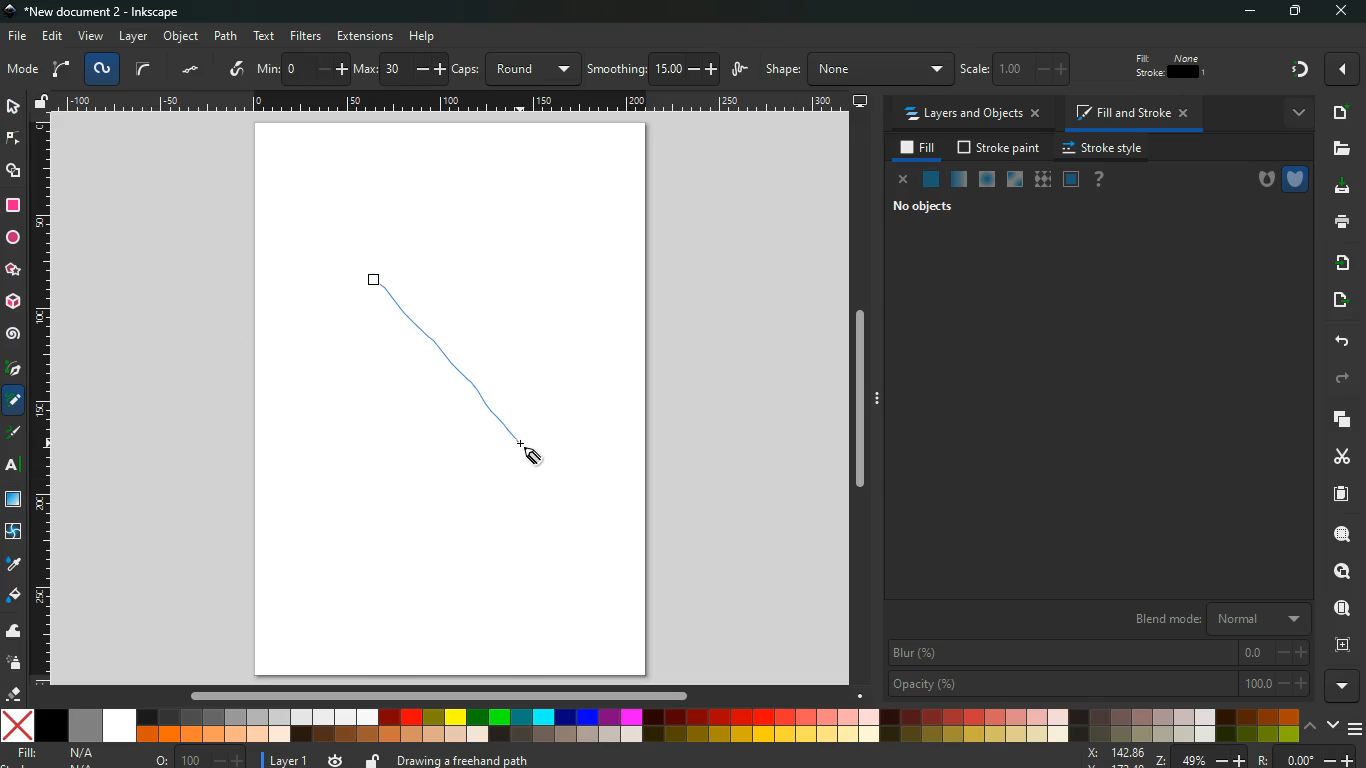  What do you see at coordinates (61, 70) in the screenshot?
I see `arc` at bounding box center [61, 70].